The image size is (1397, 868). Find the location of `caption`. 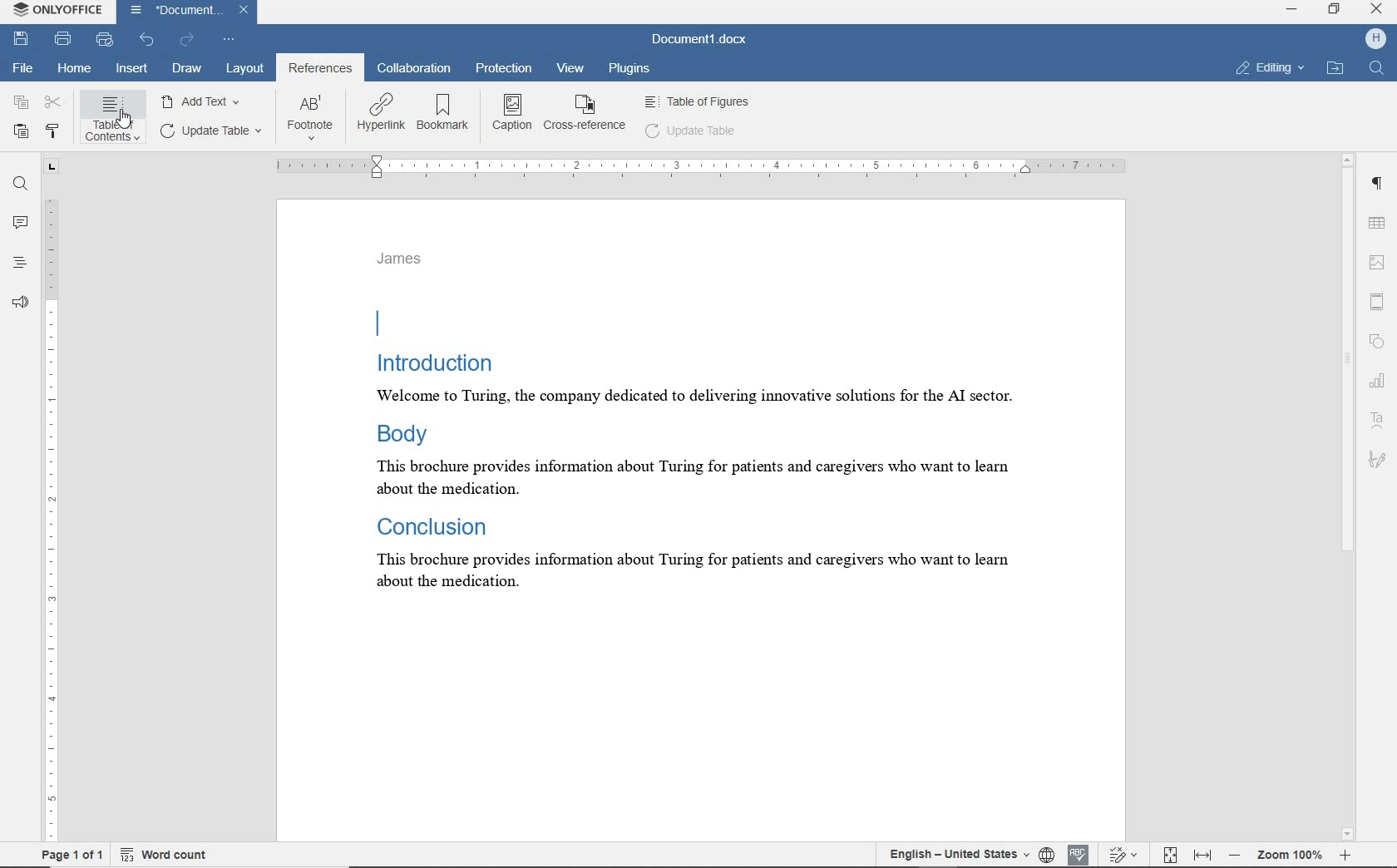

caption is located at coordinates (512, 116).